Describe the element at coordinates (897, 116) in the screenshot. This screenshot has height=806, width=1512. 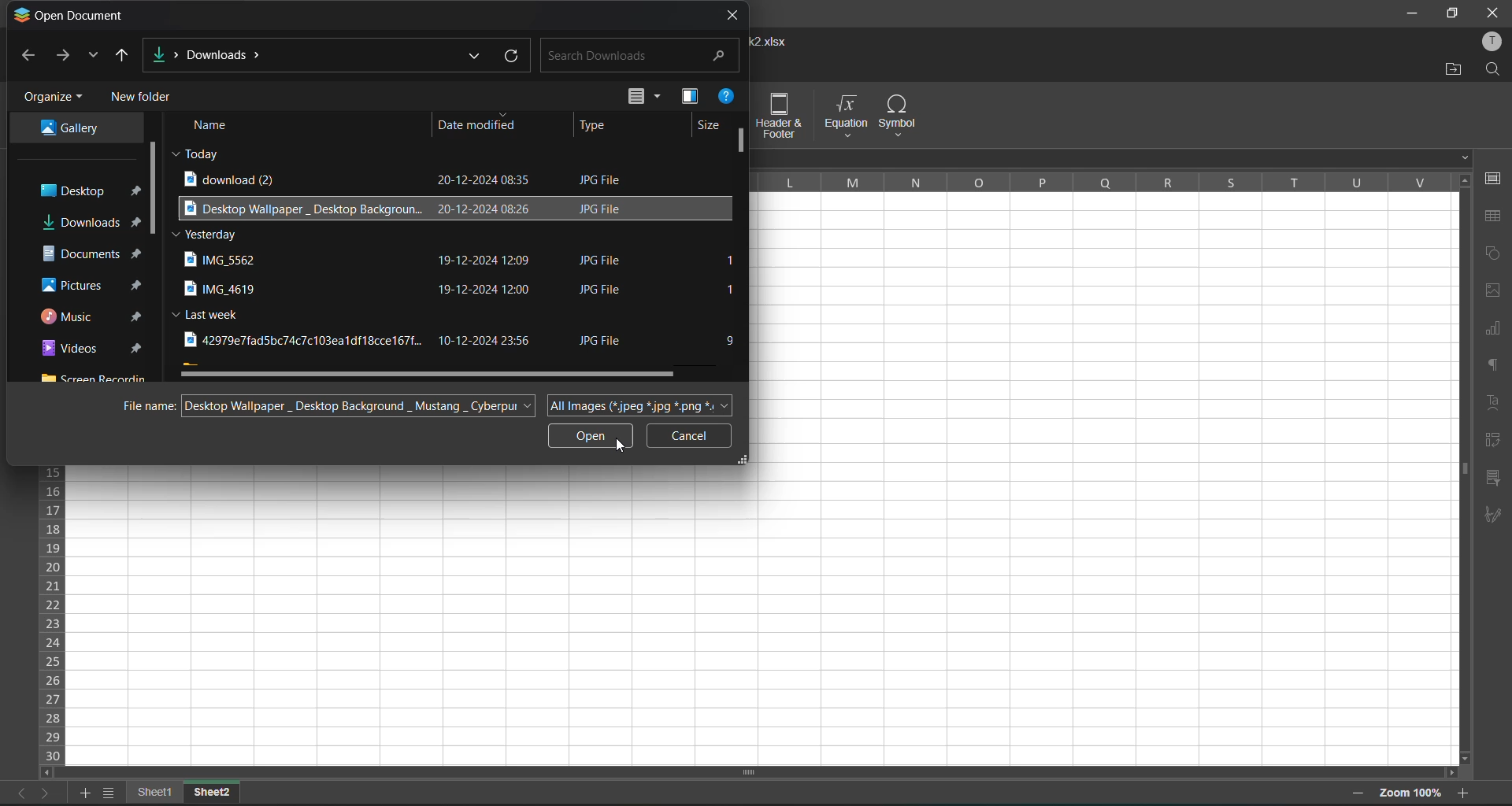
I see `symbol` at that location.